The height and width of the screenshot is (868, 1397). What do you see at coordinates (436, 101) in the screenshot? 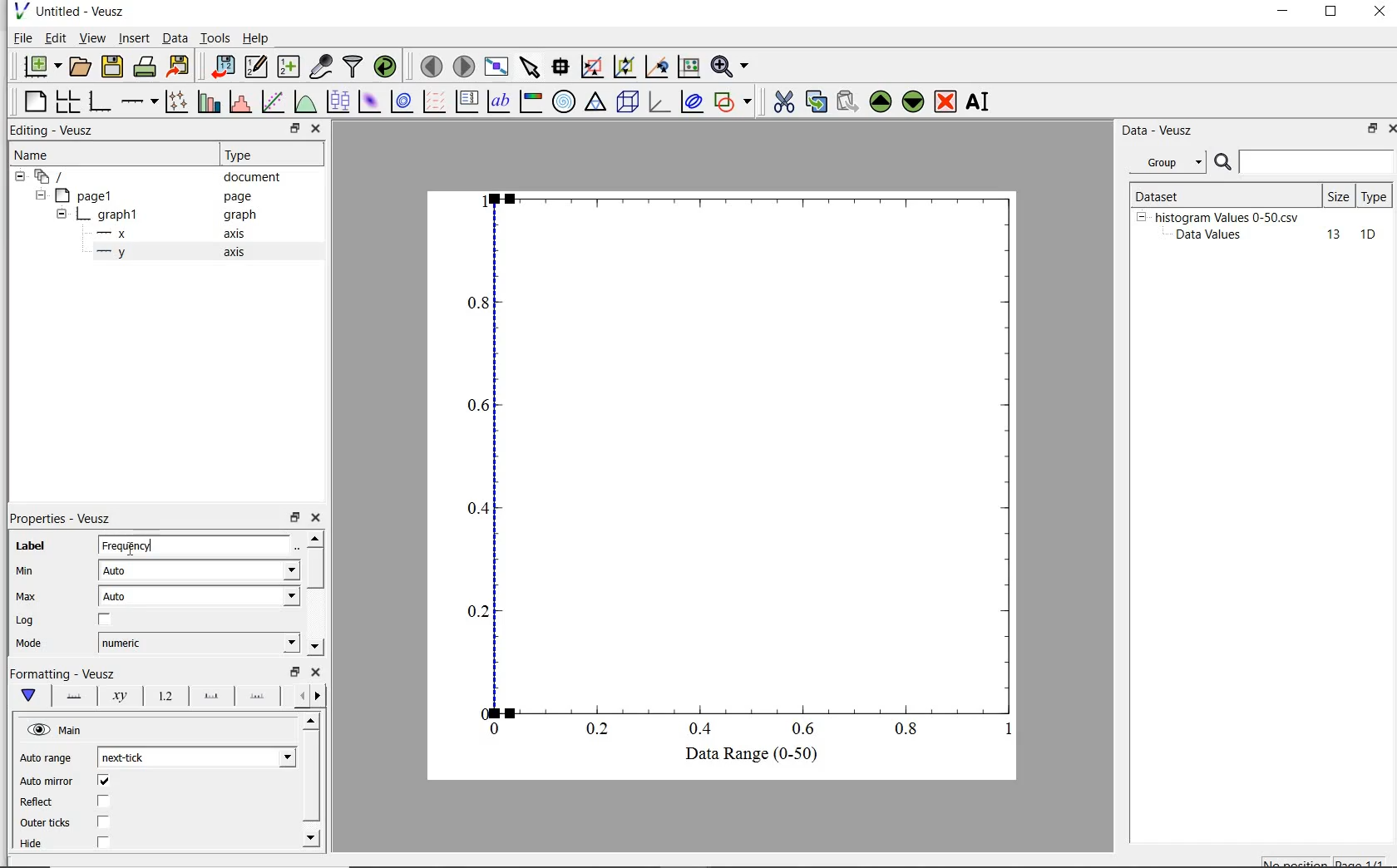
I see `plot a vector field` at bounding box center [436, 101].